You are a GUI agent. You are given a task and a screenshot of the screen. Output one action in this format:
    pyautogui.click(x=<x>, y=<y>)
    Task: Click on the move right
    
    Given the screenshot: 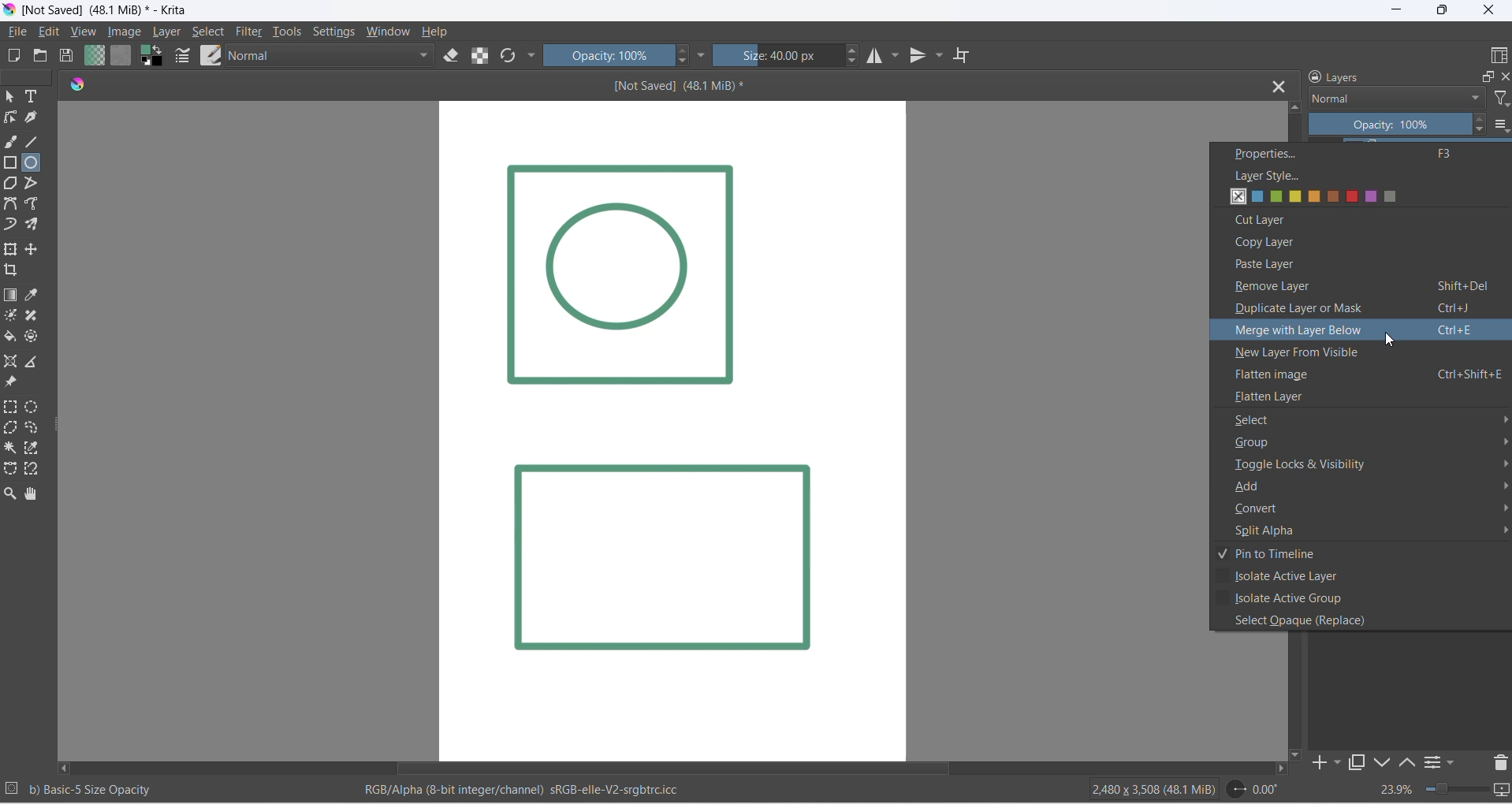 What is the action you would take?
    pyautogui.click(x=1279, y=770)
    